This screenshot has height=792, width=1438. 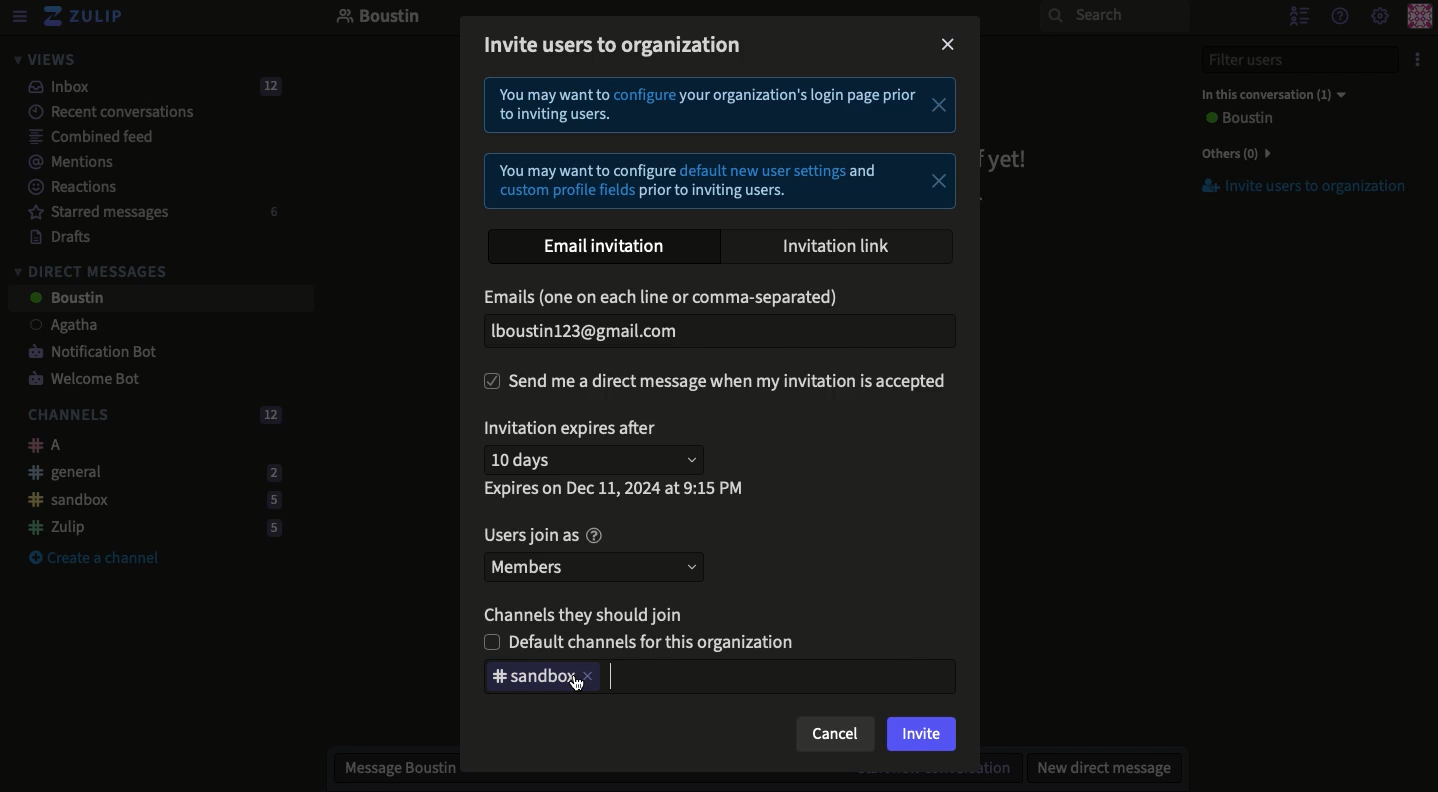 I want to click on Search , so click(x=1114, y=16).